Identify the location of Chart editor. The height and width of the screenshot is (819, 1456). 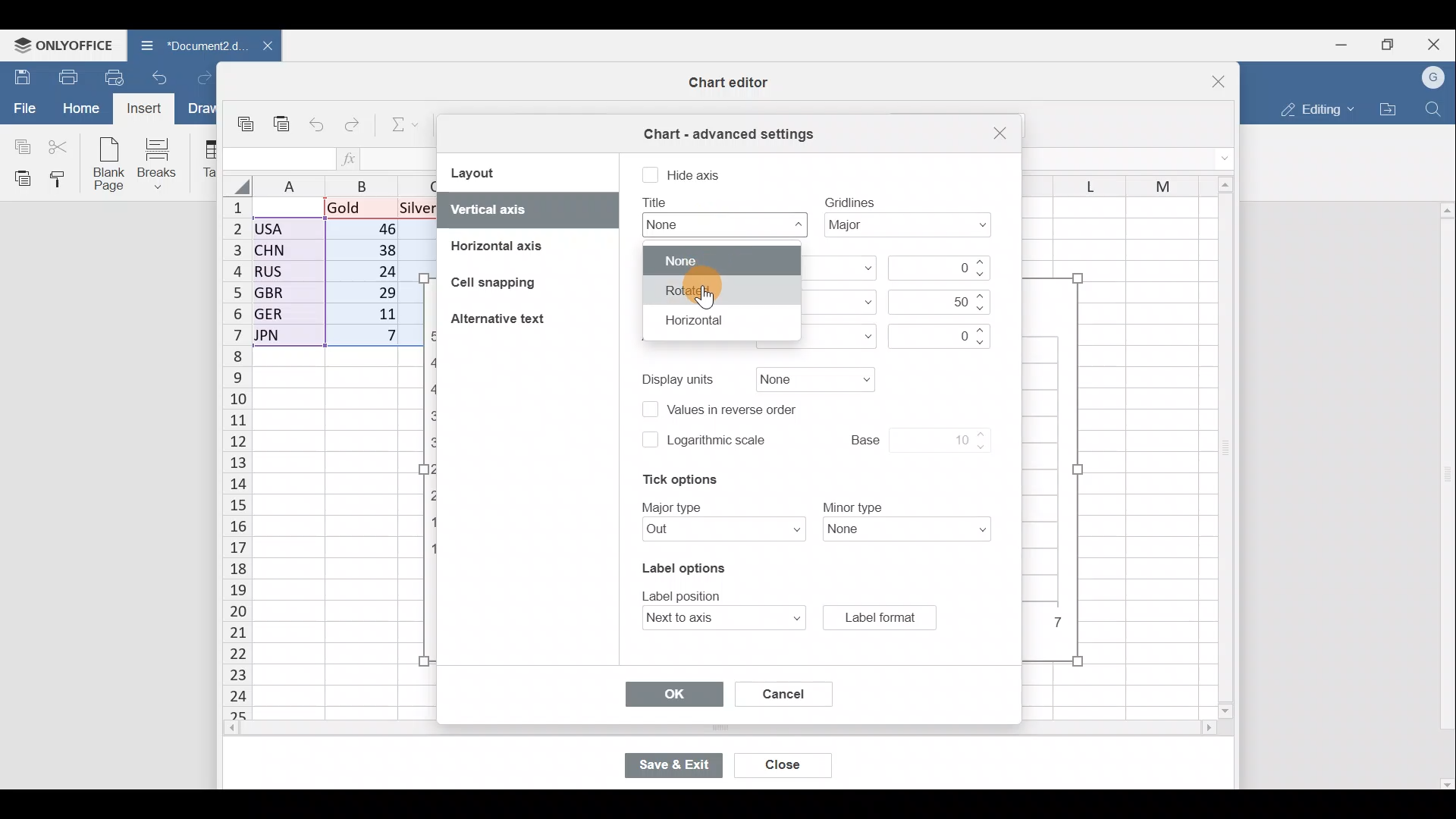
(724, 83).